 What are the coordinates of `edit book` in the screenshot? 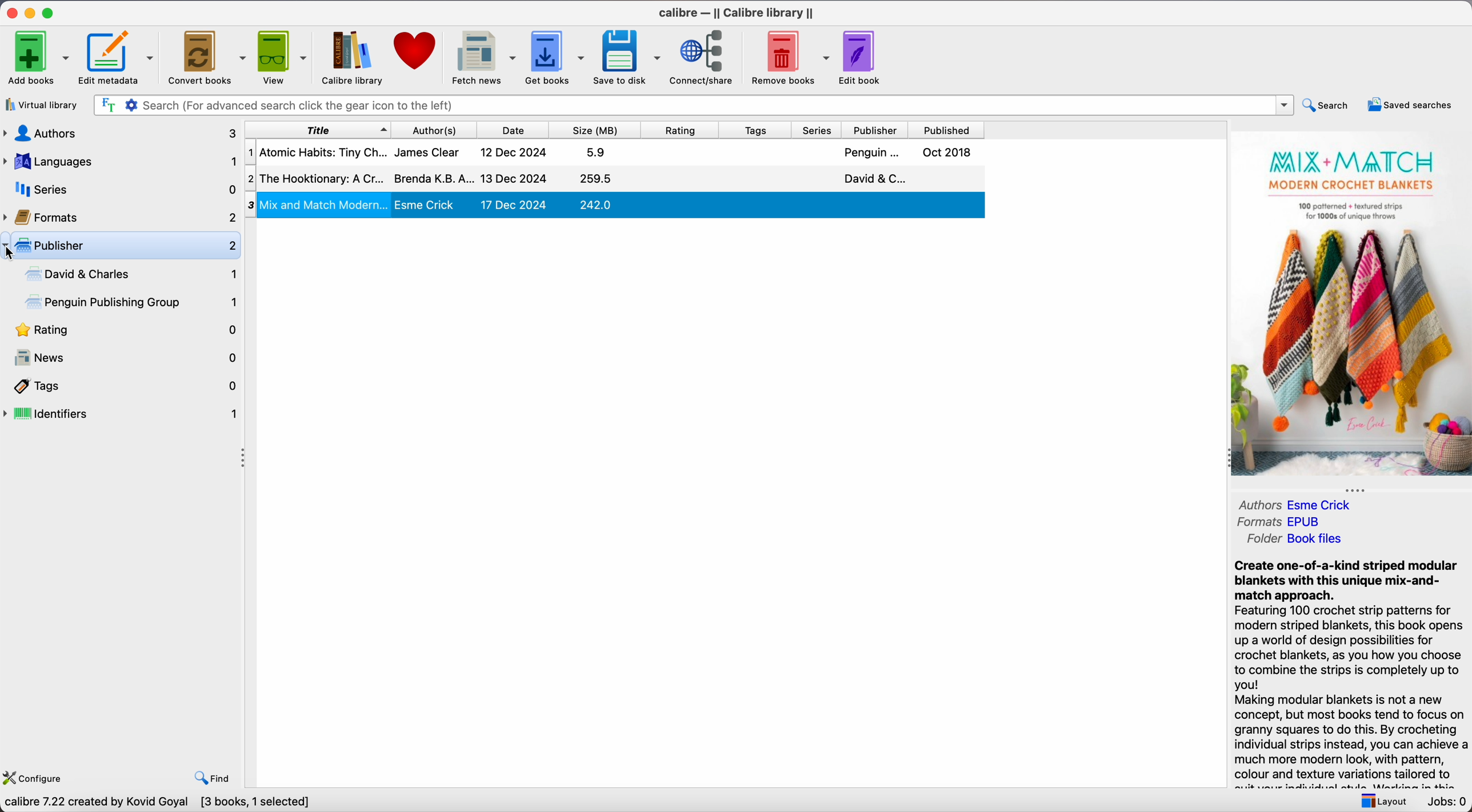 It's located at (864, 57).